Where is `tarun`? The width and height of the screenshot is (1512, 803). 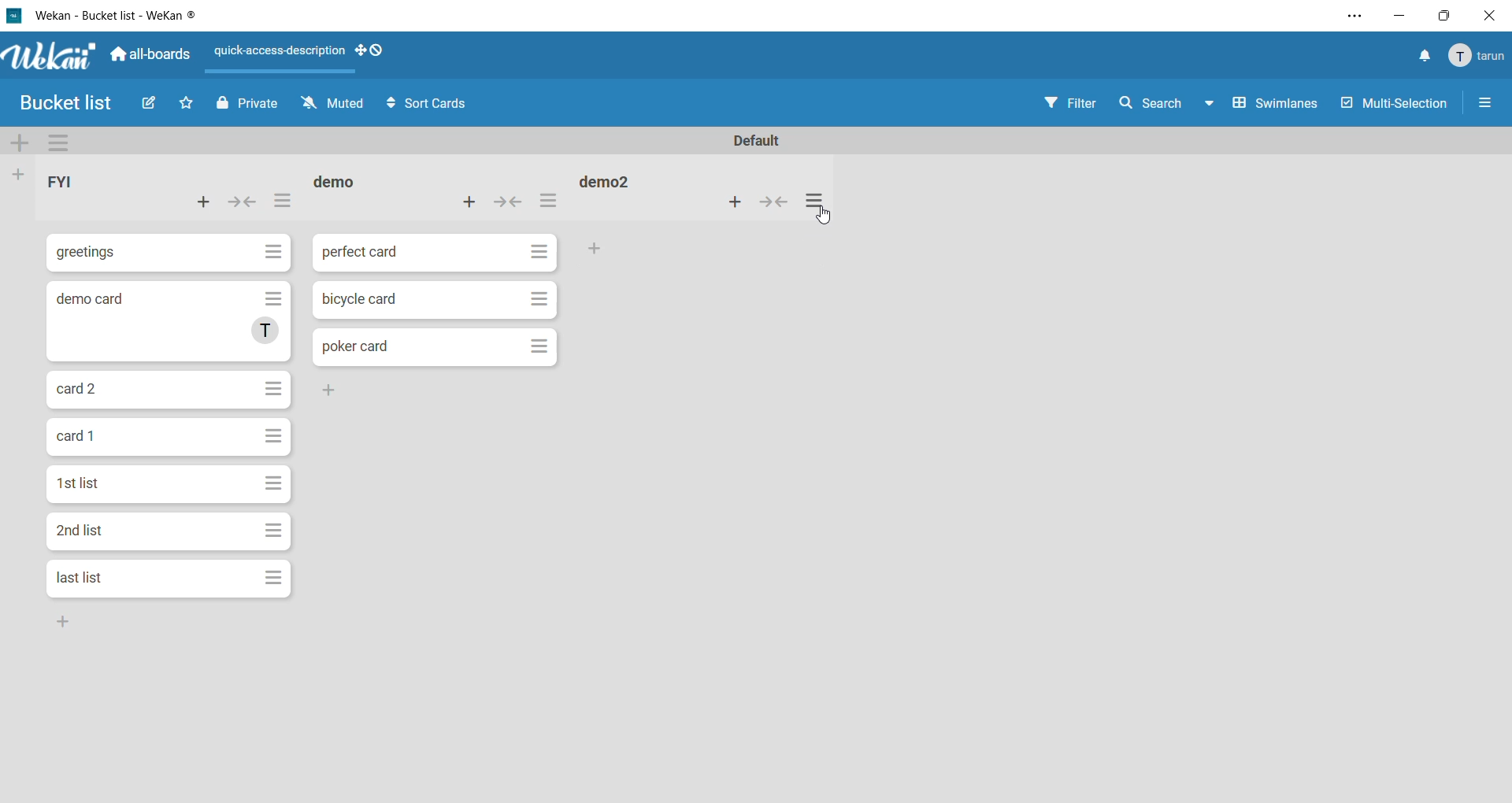
tarun is located at coordinates (1477, 54).